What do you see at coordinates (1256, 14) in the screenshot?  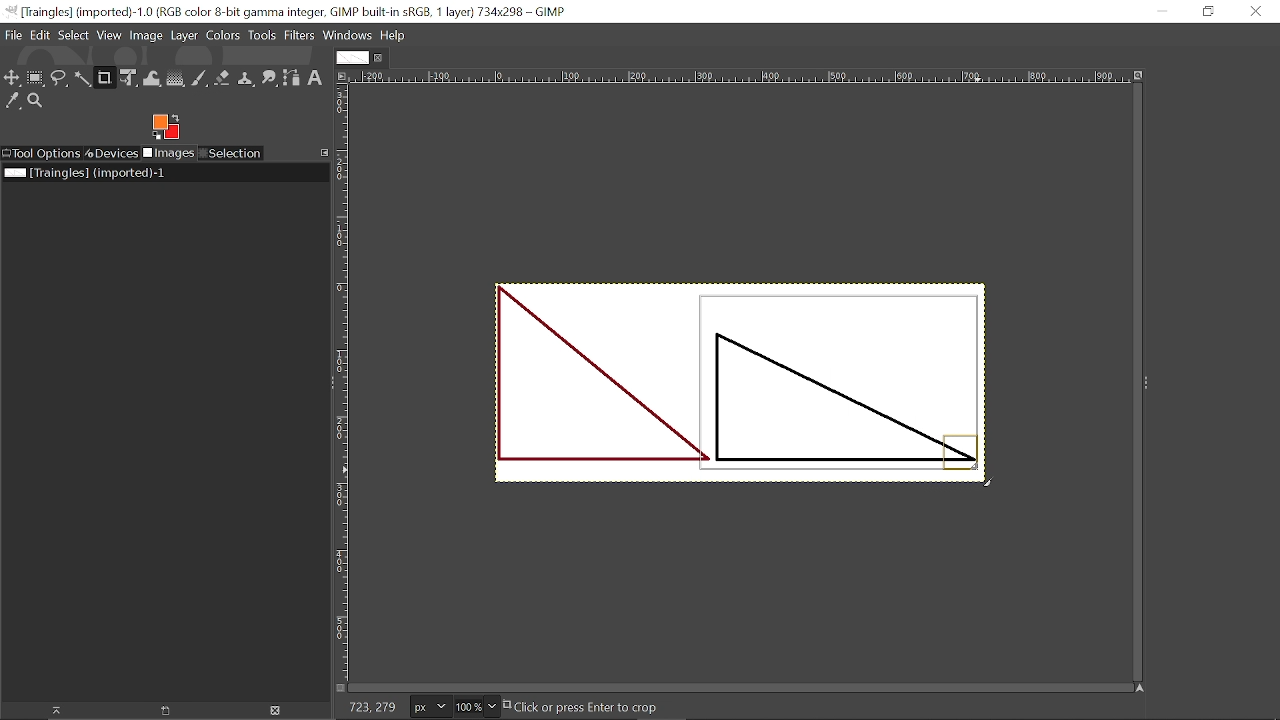 I see `Close` at bounding box center [1256, 14].